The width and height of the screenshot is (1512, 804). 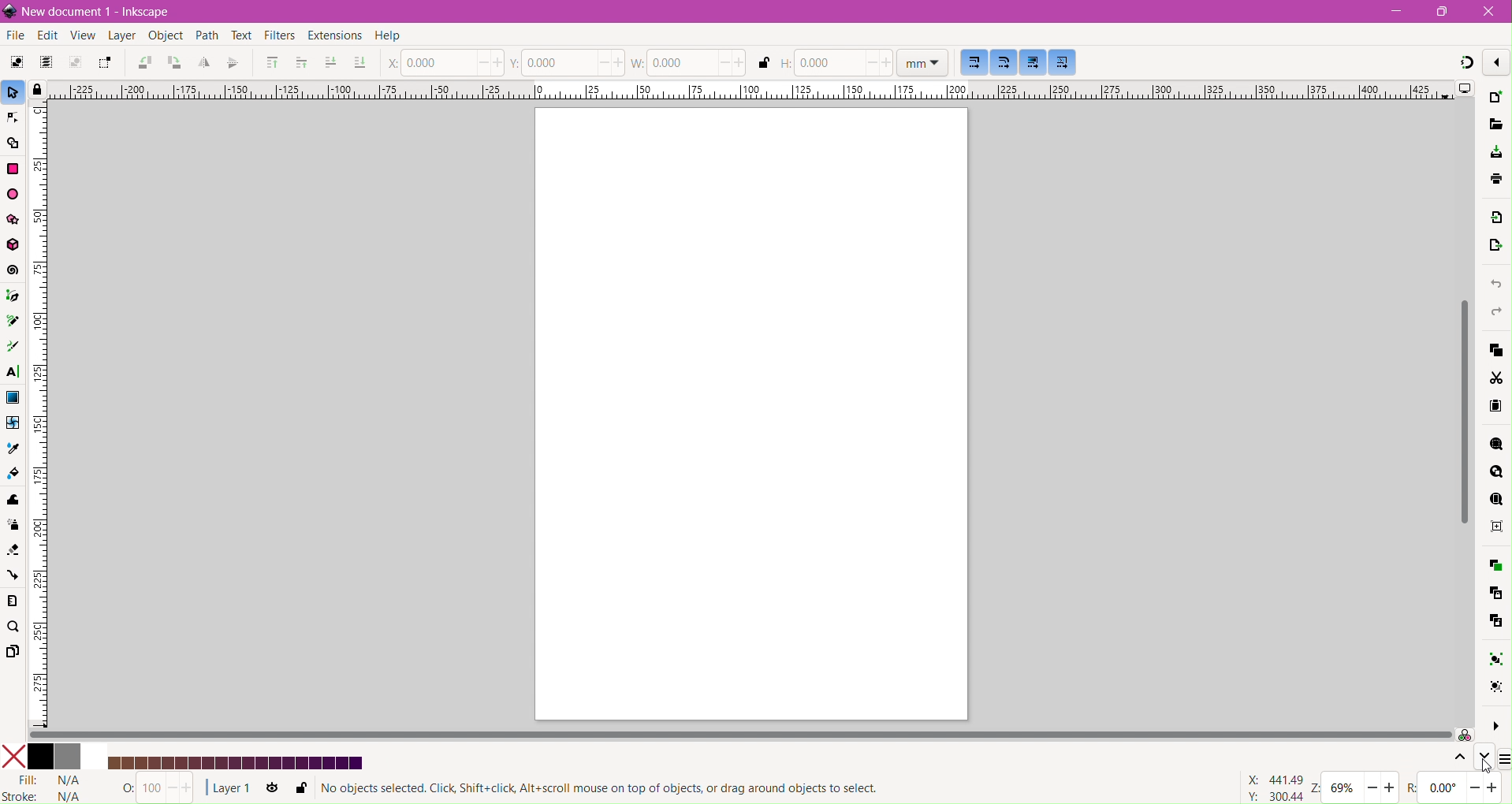 I want to click on Close, so click(x=1488, y=11).